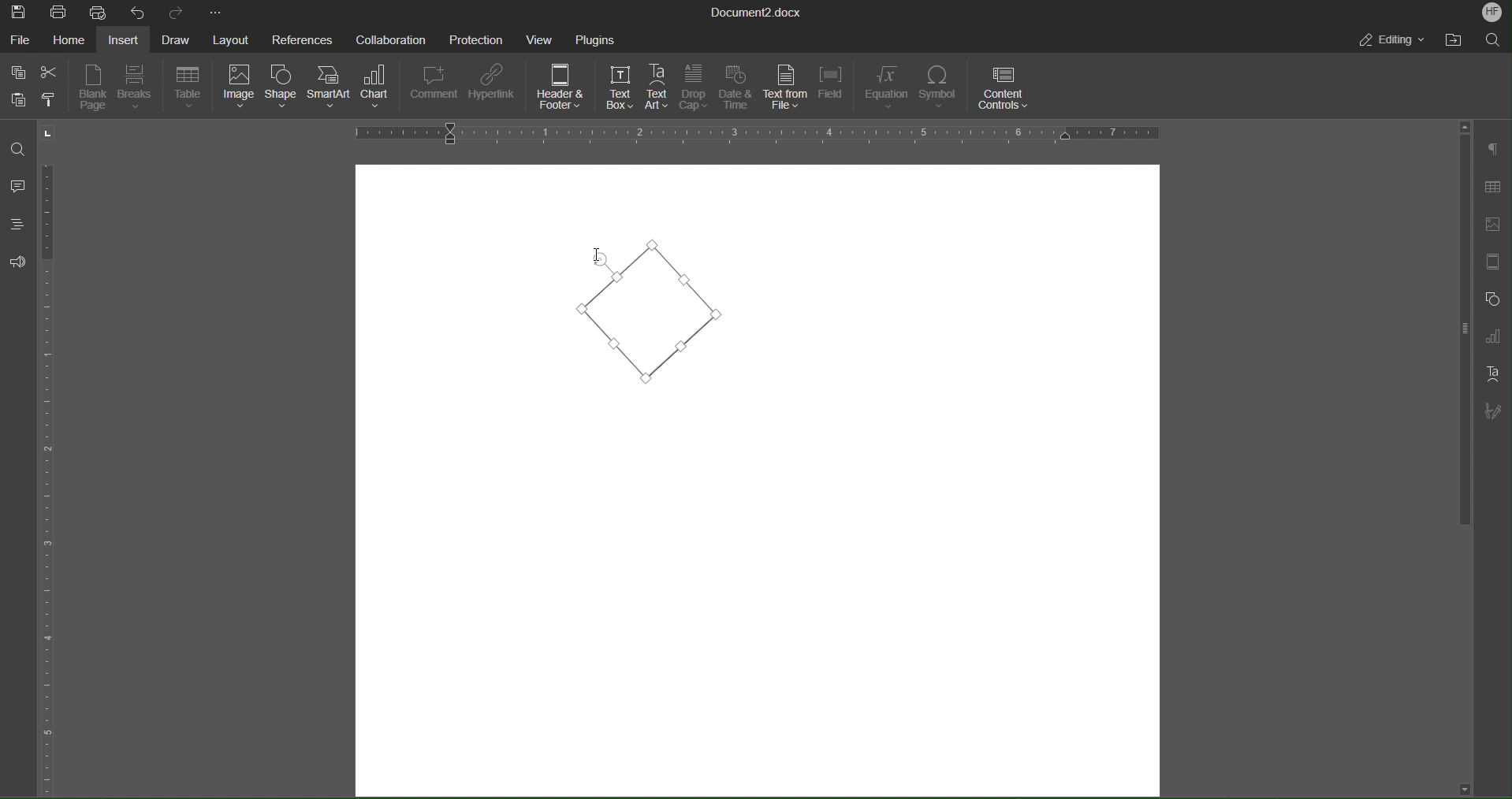 The image size is (1512, 799). I want to click on Equation, so click(886, 87).